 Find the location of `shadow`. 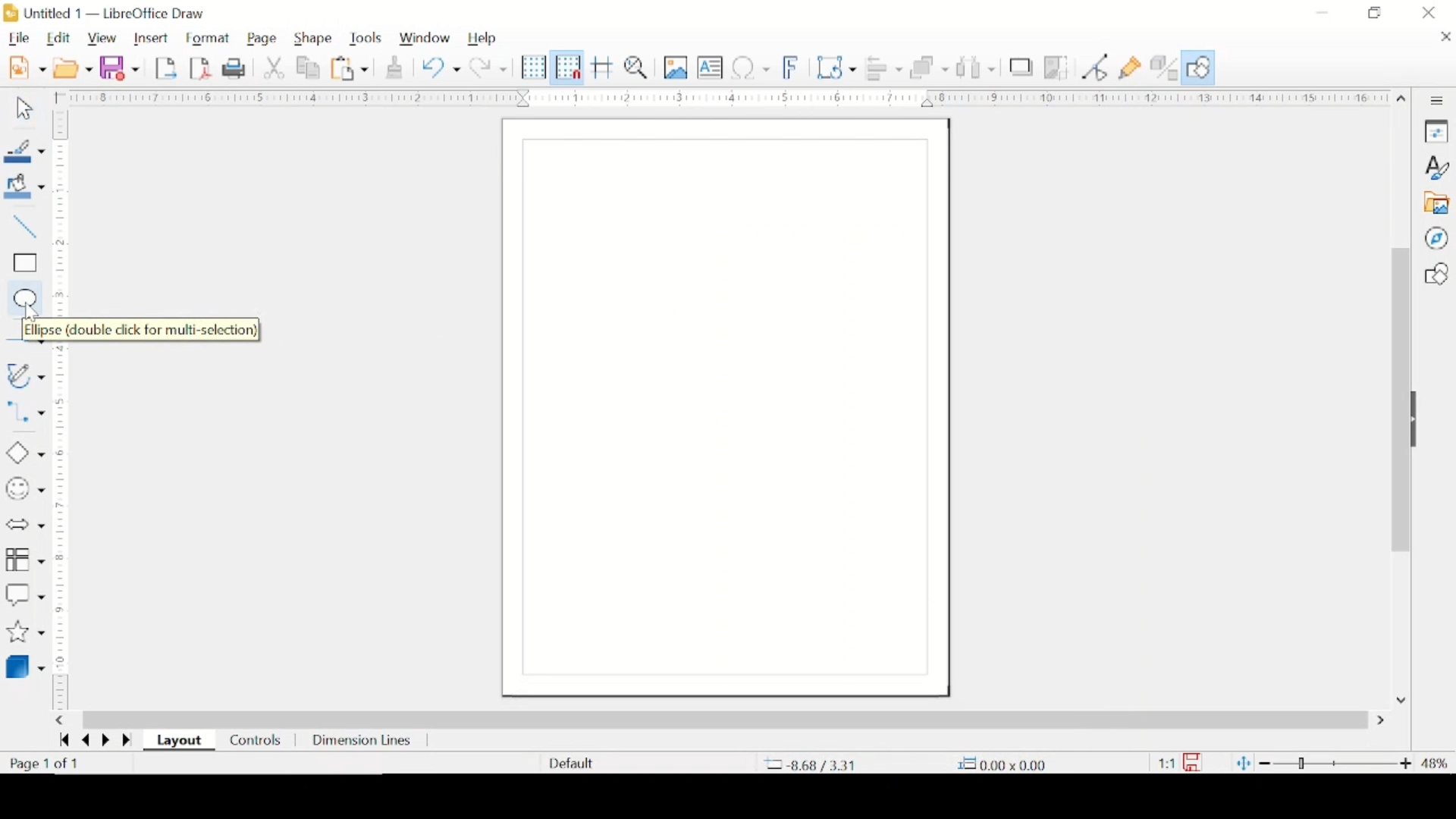

shadow is located at coordinates (1021, 67).